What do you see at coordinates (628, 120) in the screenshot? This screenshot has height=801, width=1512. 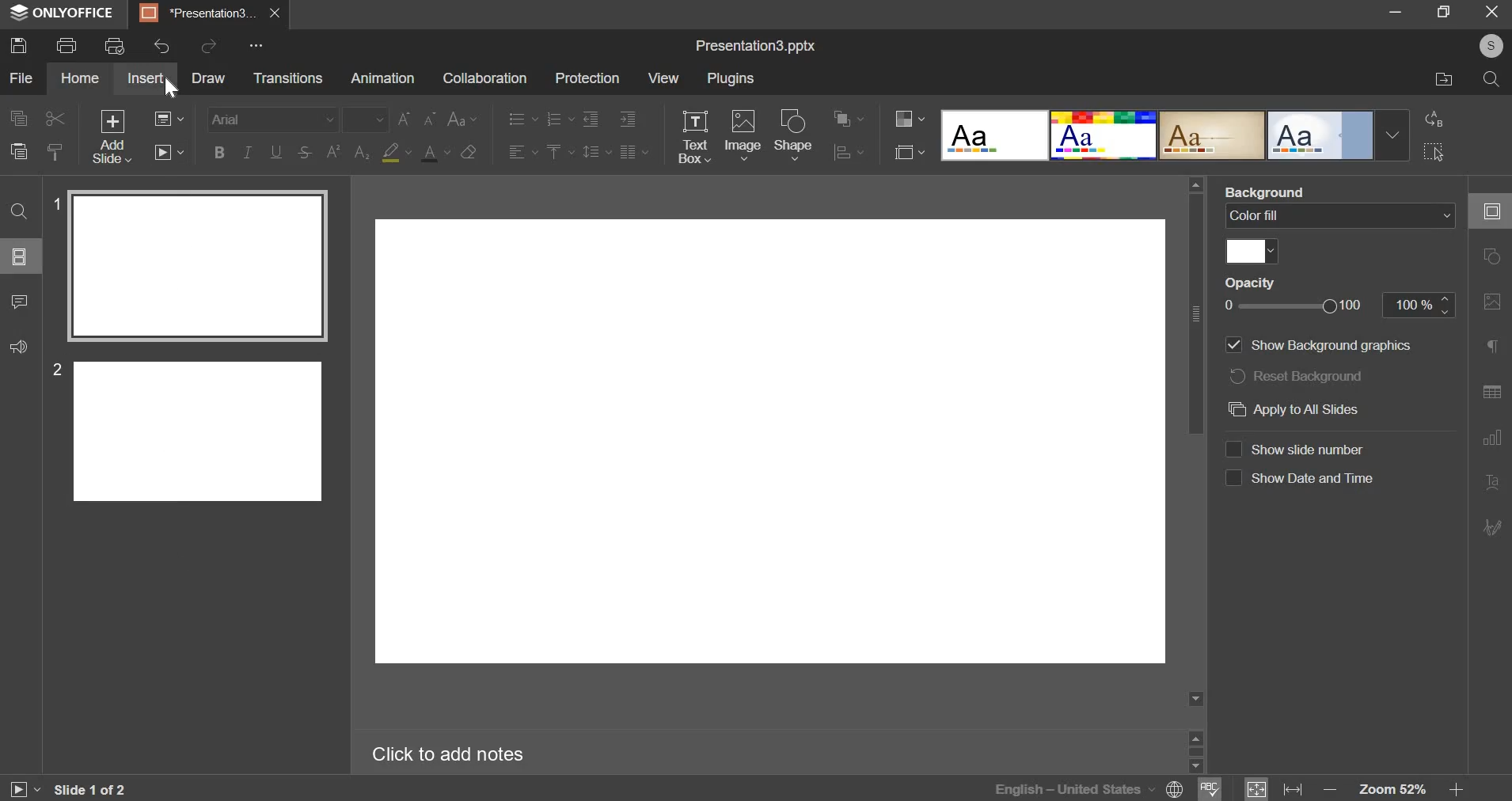 I see `increase indent` at bounding box center [628, 120].